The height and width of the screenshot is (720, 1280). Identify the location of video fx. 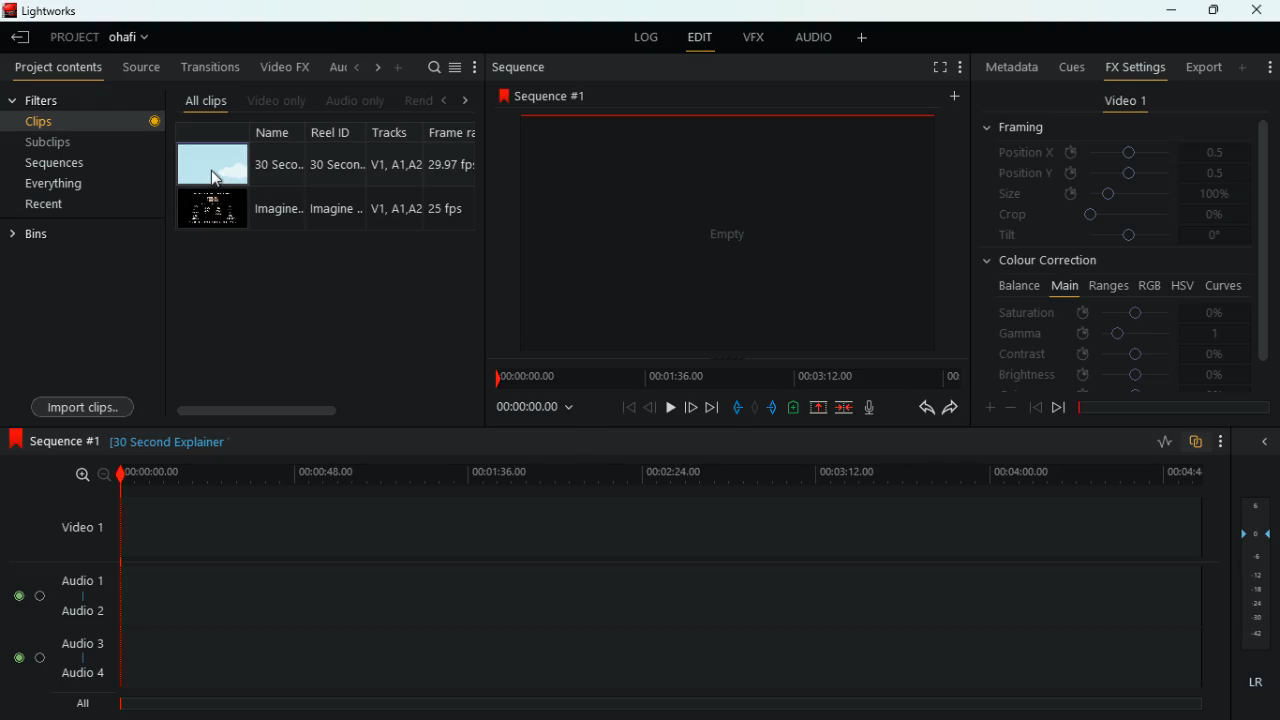
(283, 66).